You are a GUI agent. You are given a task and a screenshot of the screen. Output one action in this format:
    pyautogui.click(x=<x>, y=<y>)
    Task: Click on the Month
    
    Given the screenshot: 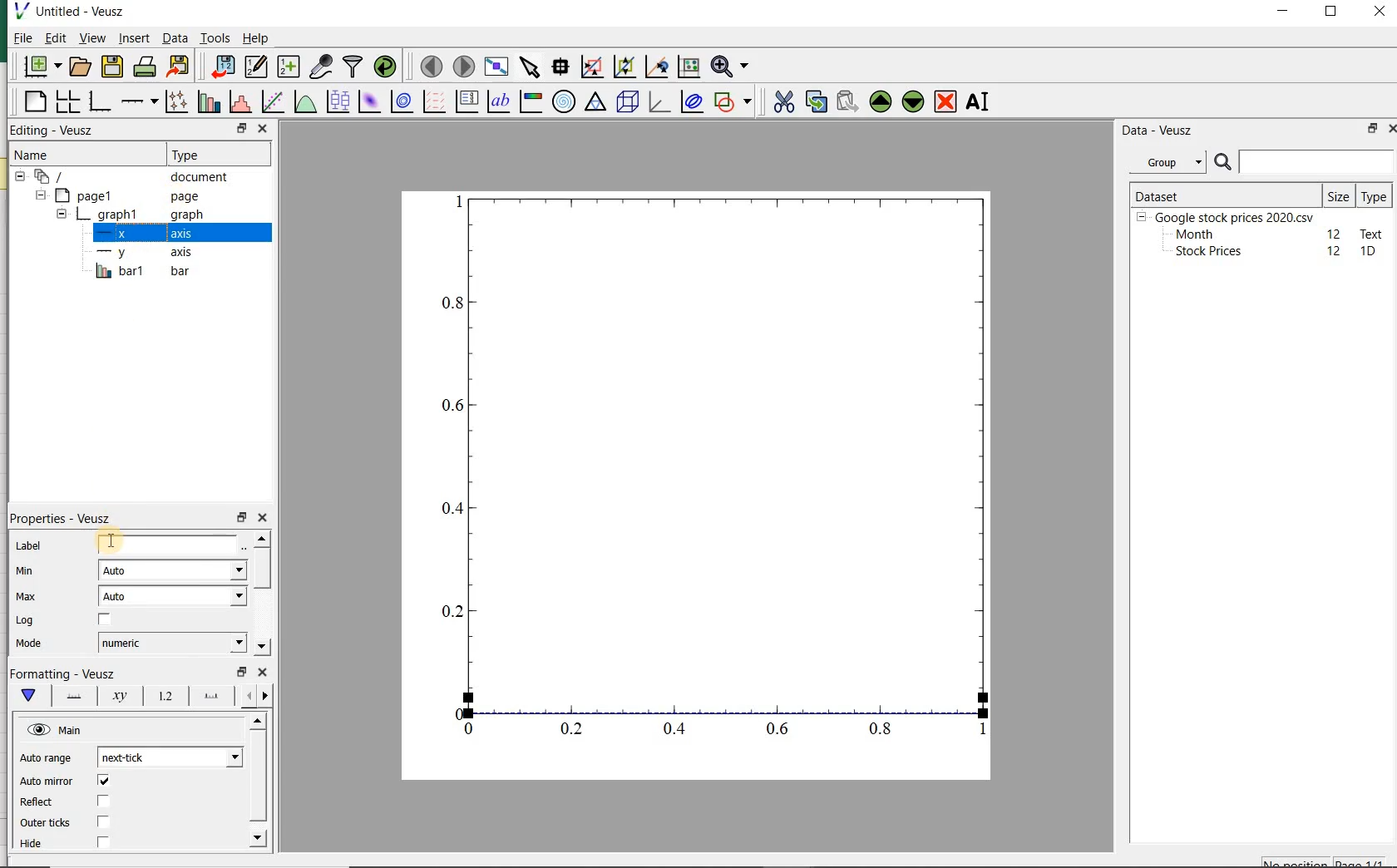 What is the action you would take?
    pyautogui.click(x=1193, y=234)
    